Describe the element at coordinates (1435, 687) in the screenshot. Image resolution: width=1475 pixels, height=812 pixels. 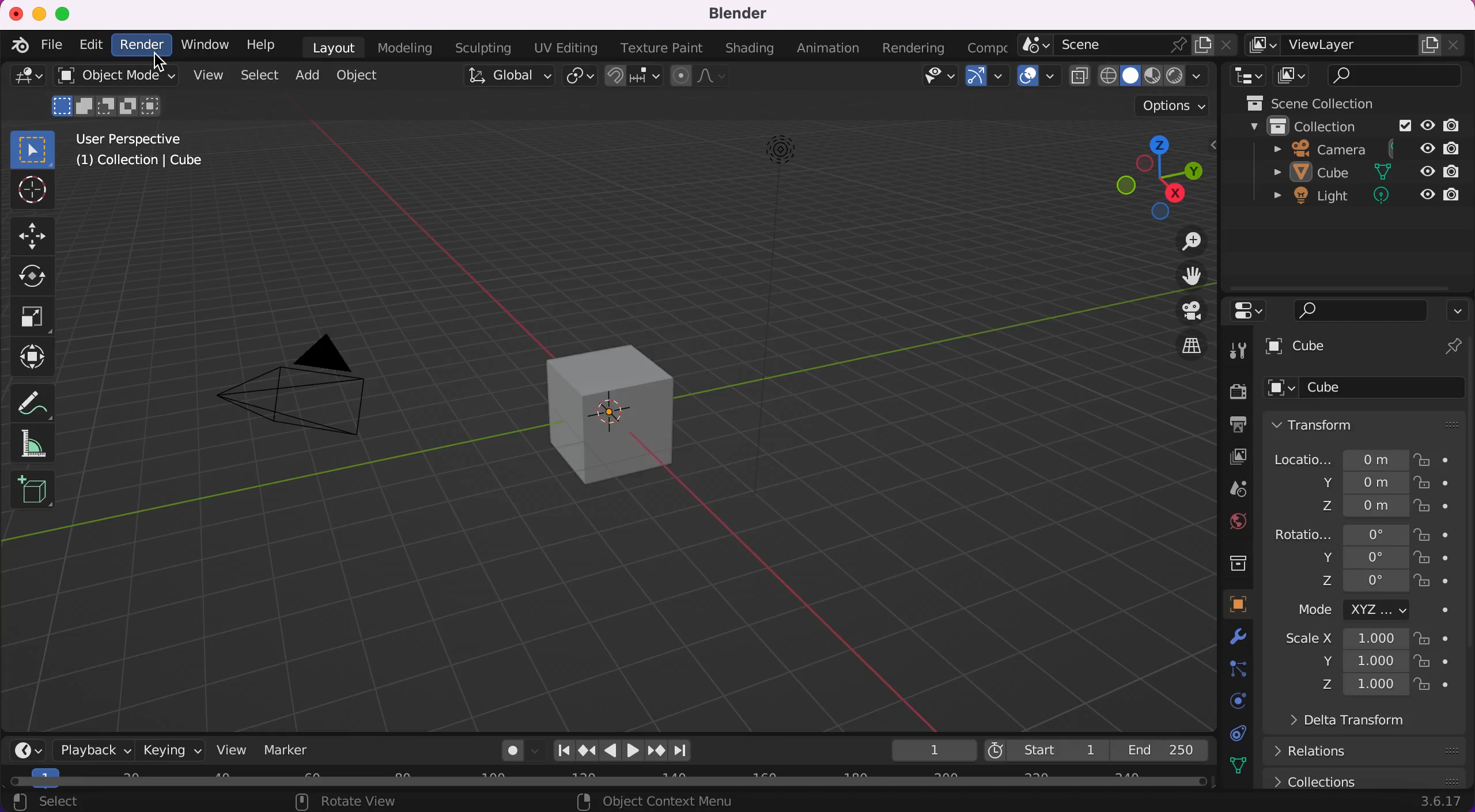
I see `lock` at that location.